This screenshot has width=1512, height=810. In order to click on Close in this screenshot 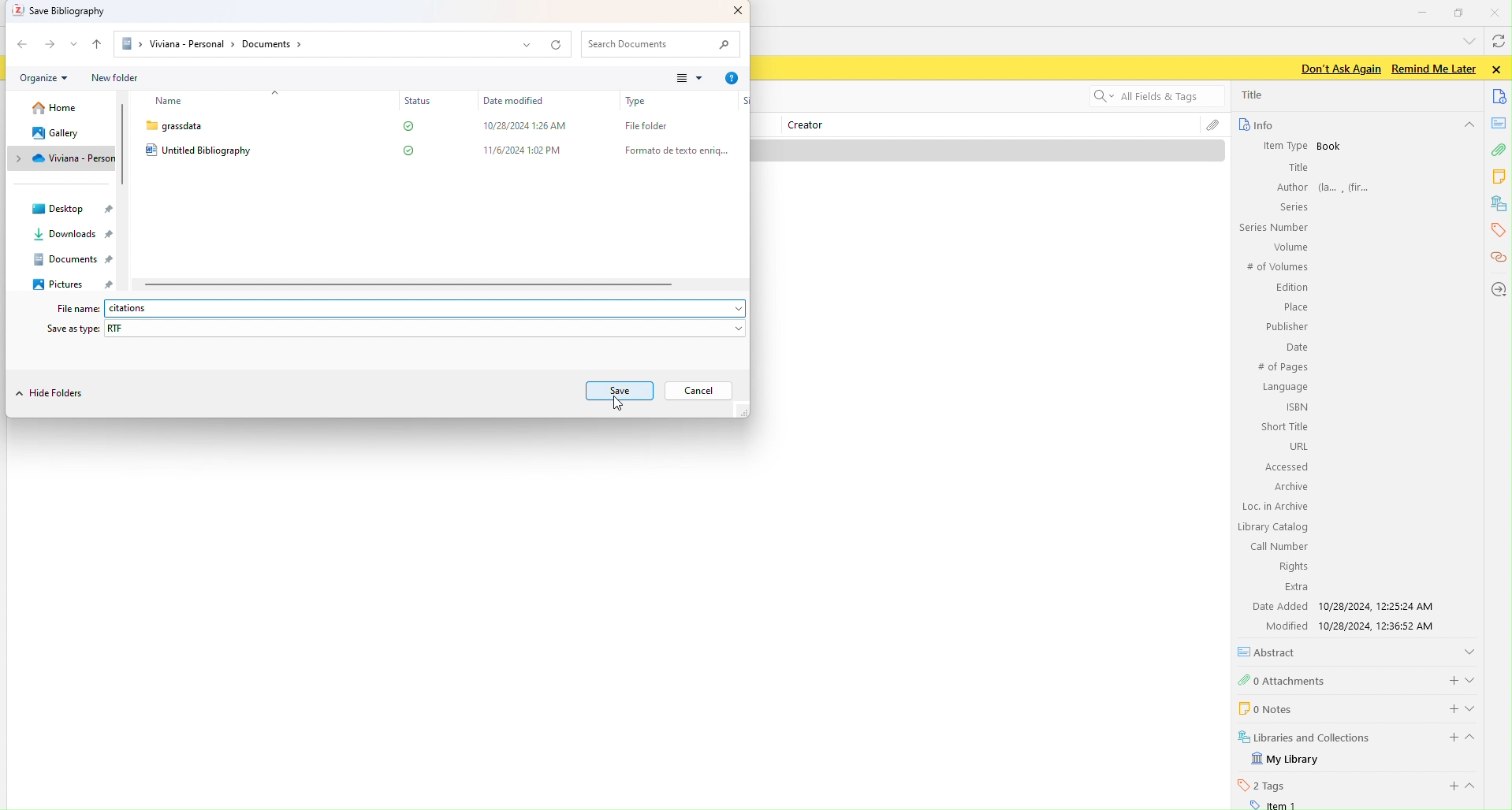, I will do `click(732, 12)`.